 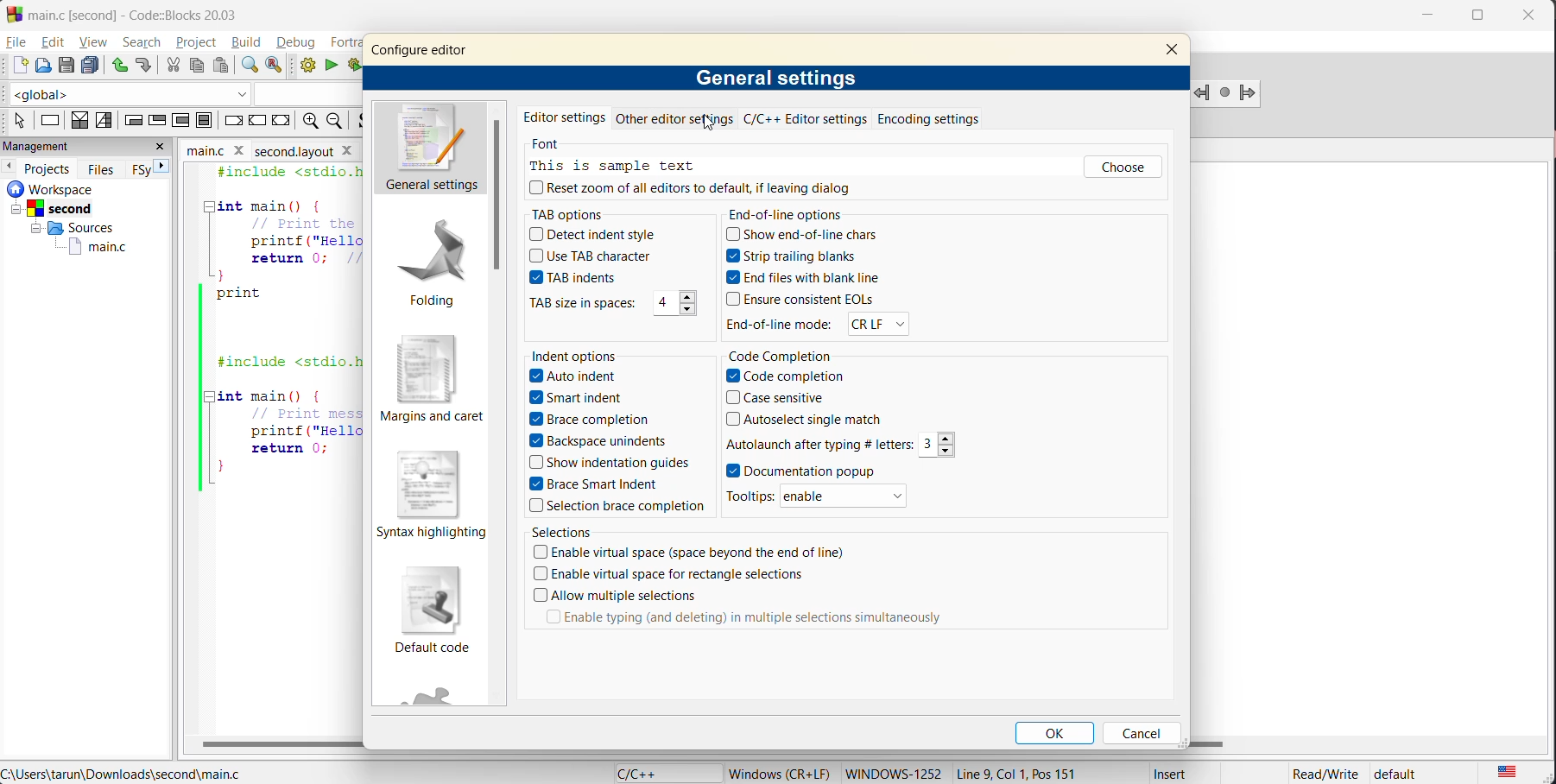 What do you see at coordinates (73, 146) in the screenshot?
I see `management` at bounding box center [73, 146].